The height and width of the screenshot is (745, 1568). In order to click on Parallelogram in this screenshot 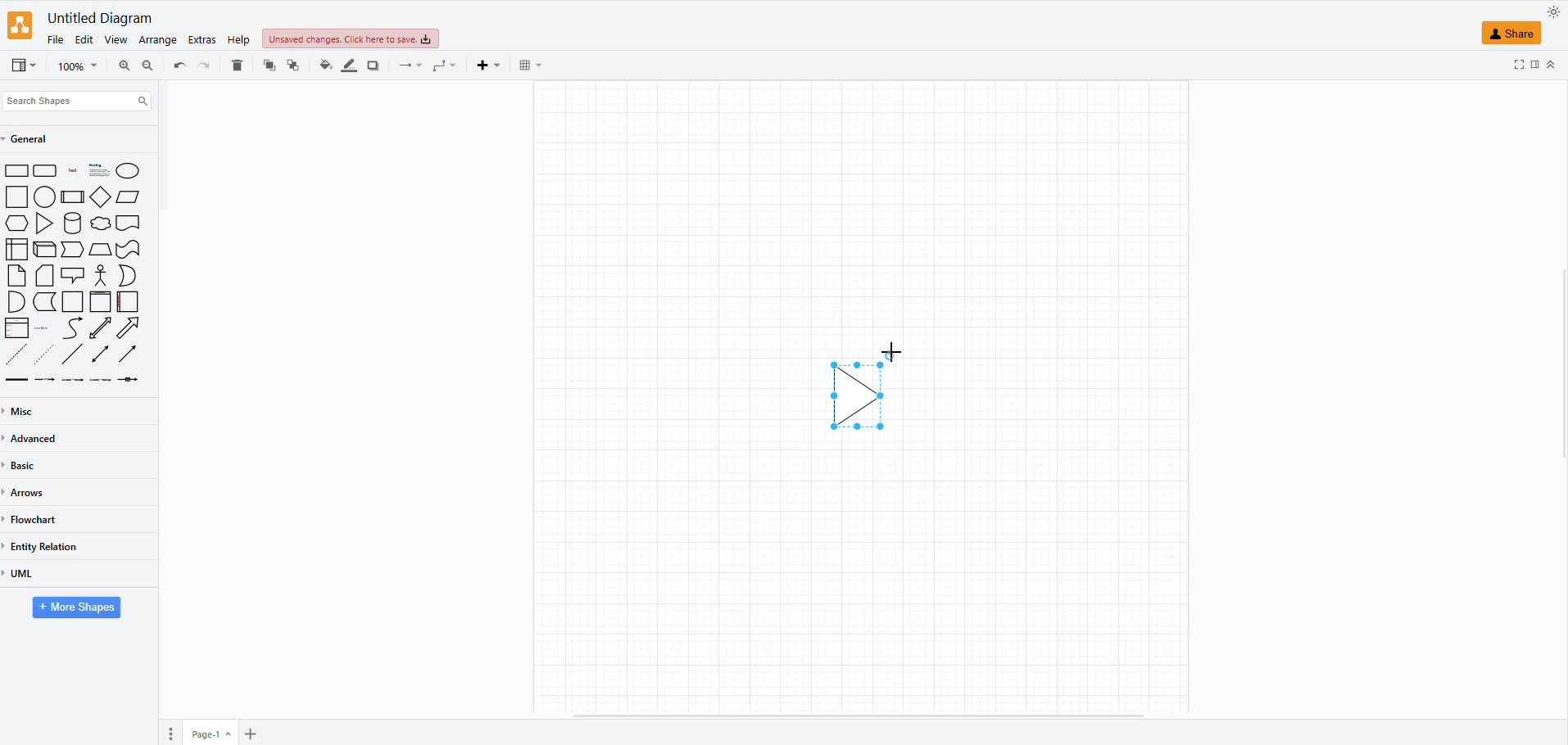, I will do `click(130, 197)`.